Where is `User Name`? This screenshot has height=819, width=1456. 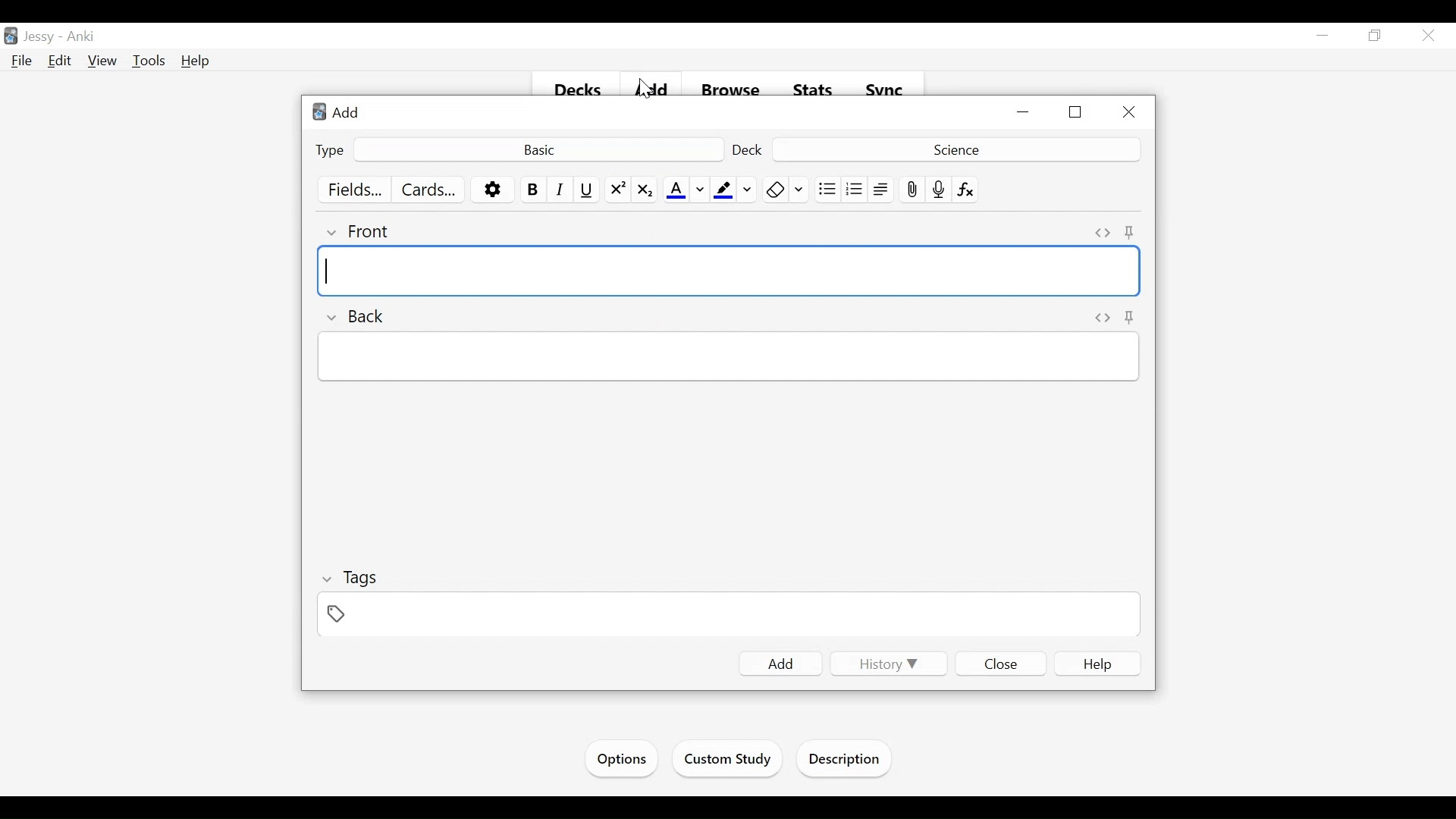
User Name is located at coordinates (42, 37).